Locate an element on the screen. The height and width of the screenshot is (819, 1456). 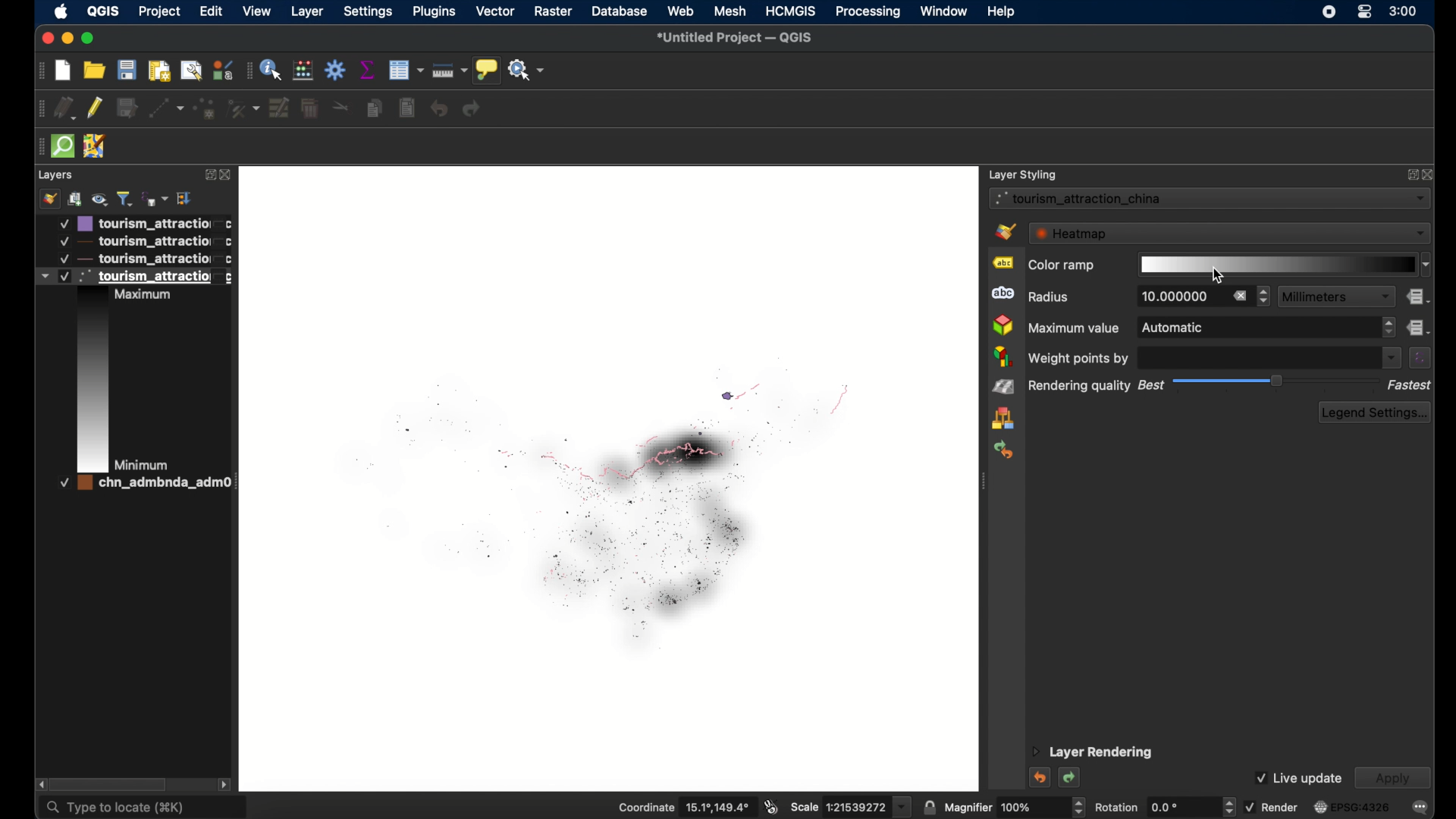
close is located at coordinates (1430, 174).